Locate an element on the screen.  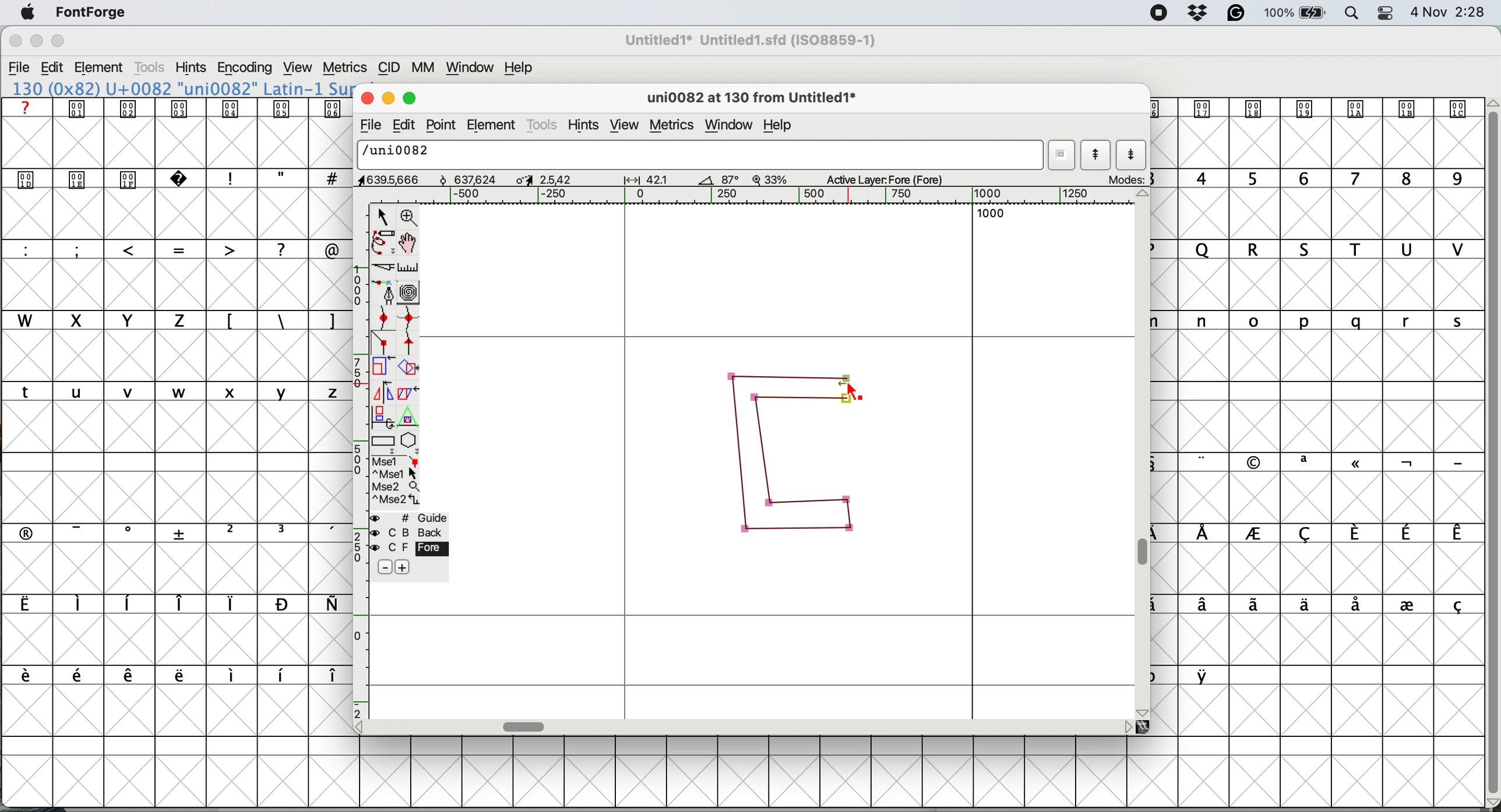
horizontal scale is located at coordinates (769, 196).